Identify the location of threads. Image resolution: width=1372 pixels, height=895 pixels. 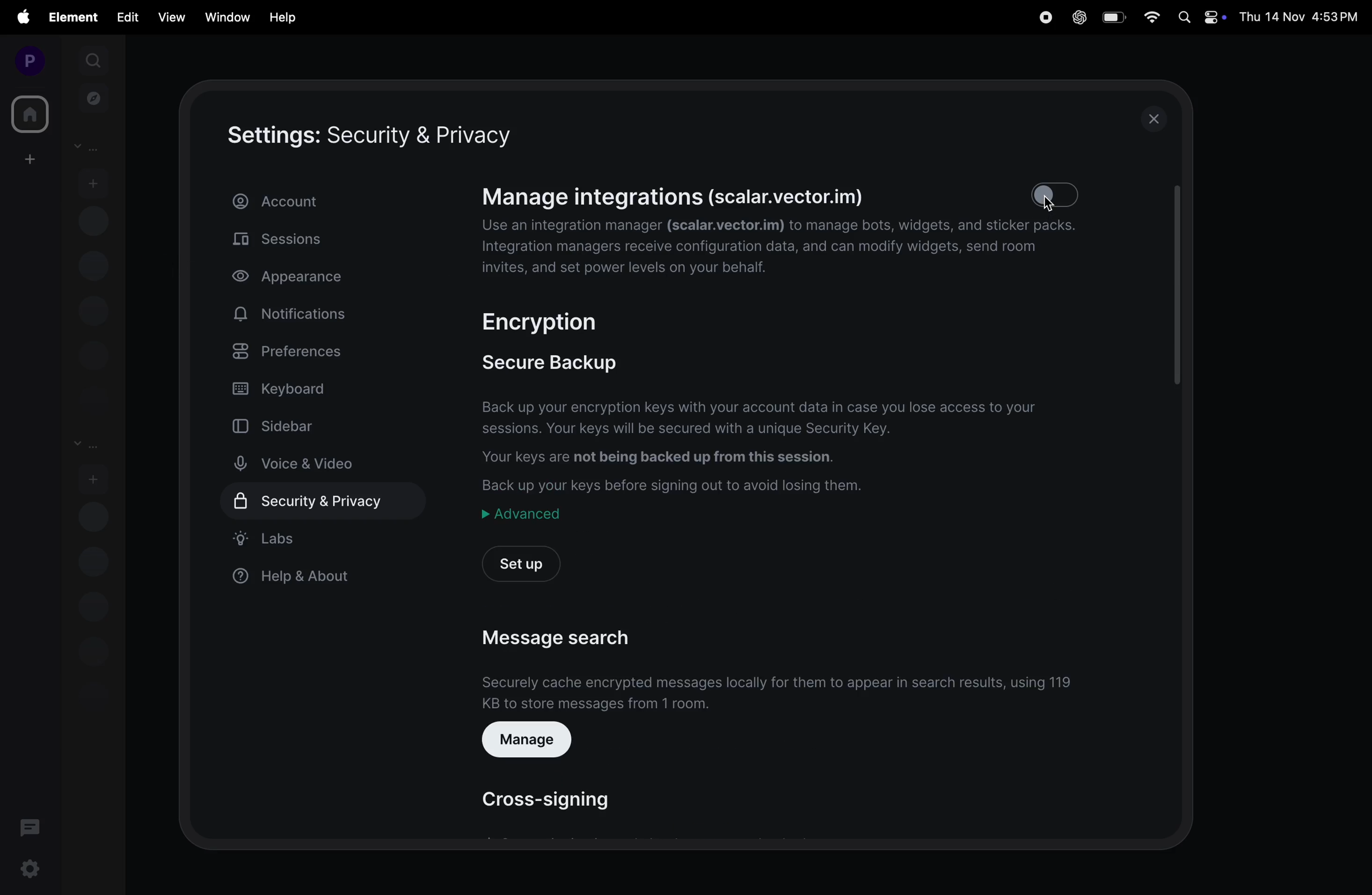
(31, 826).